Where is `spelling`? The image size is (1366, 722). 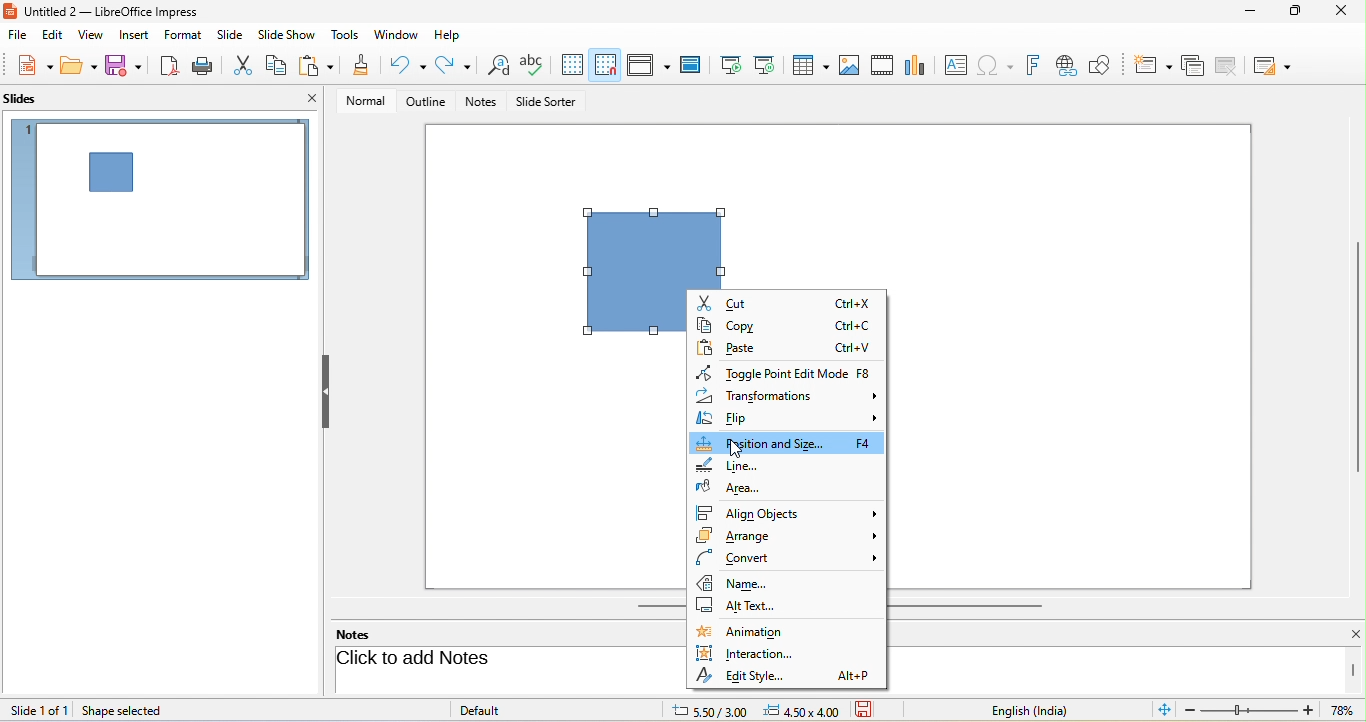
spelling is located at coordinates (535, 65).